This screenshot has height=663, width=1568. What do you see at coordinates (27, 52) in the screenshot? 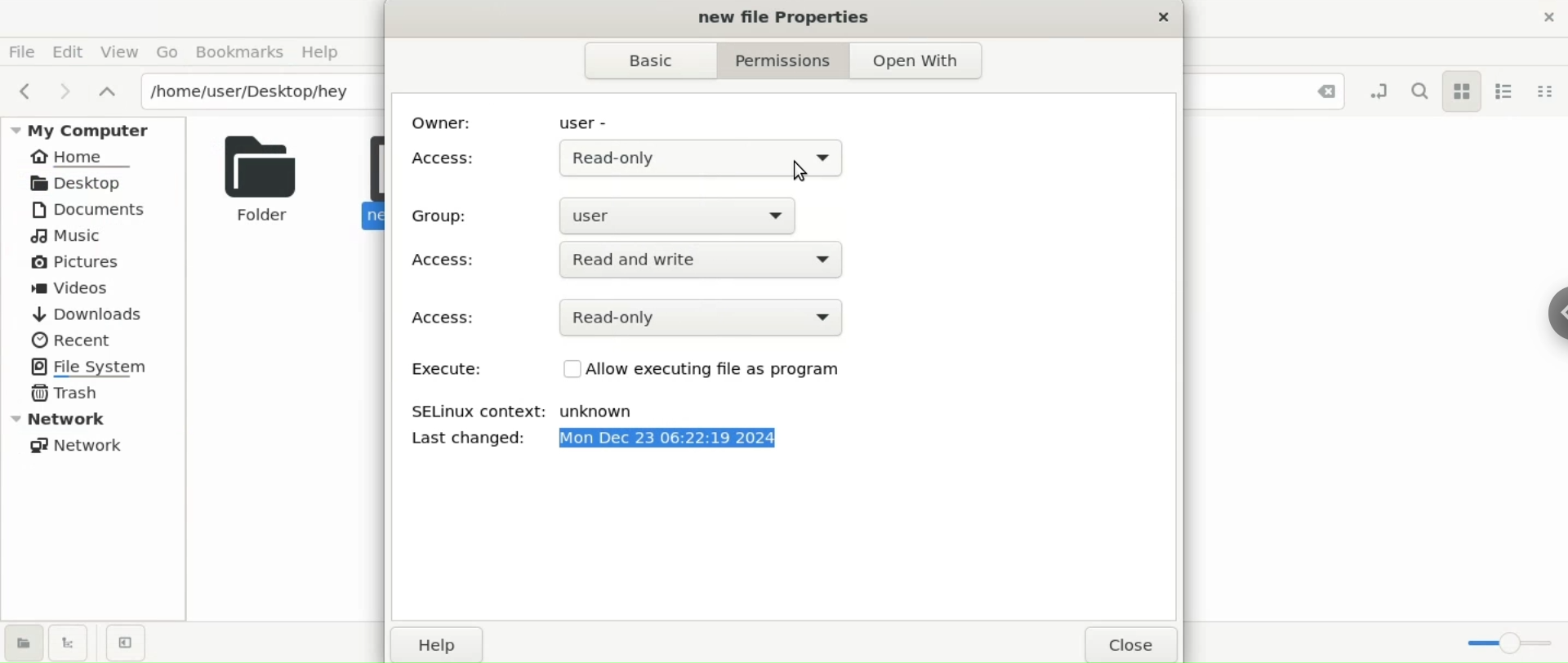
I see `File` at bounding box center [27, 52].